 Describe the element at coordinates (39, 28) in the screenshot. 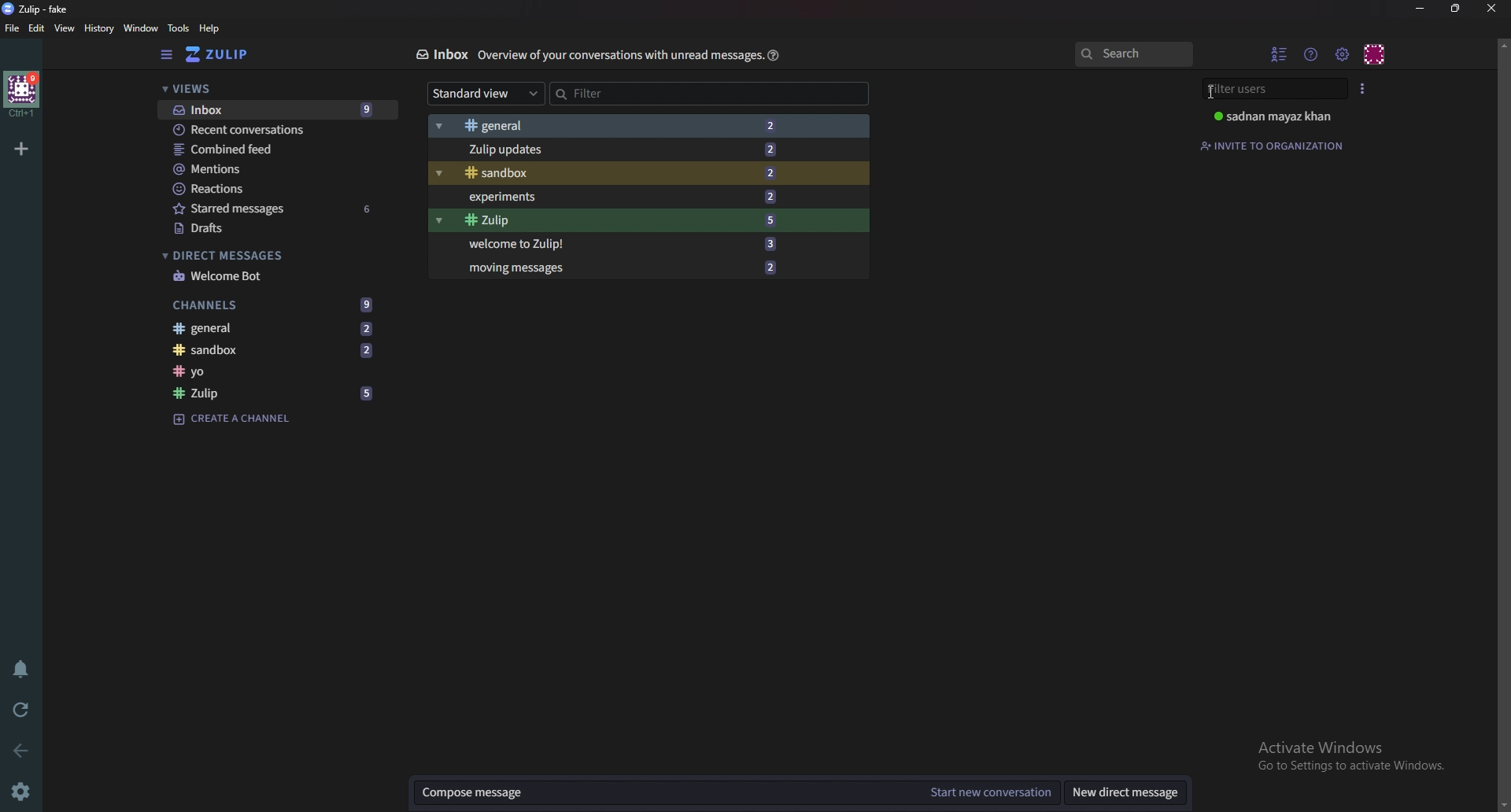

I see `Edit` at that location.